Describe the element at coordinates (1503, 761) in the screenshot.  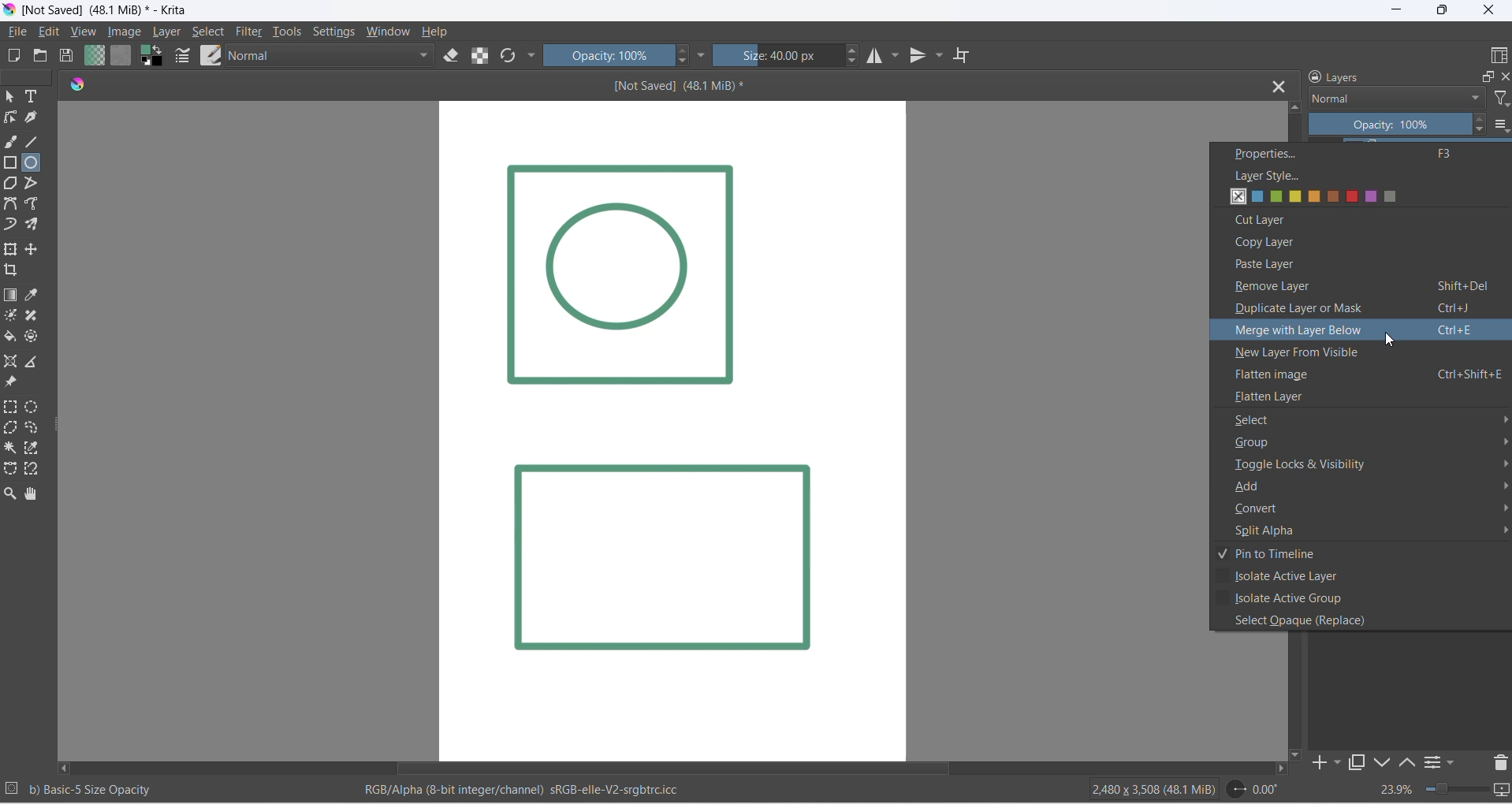
I see `delete` at that location.